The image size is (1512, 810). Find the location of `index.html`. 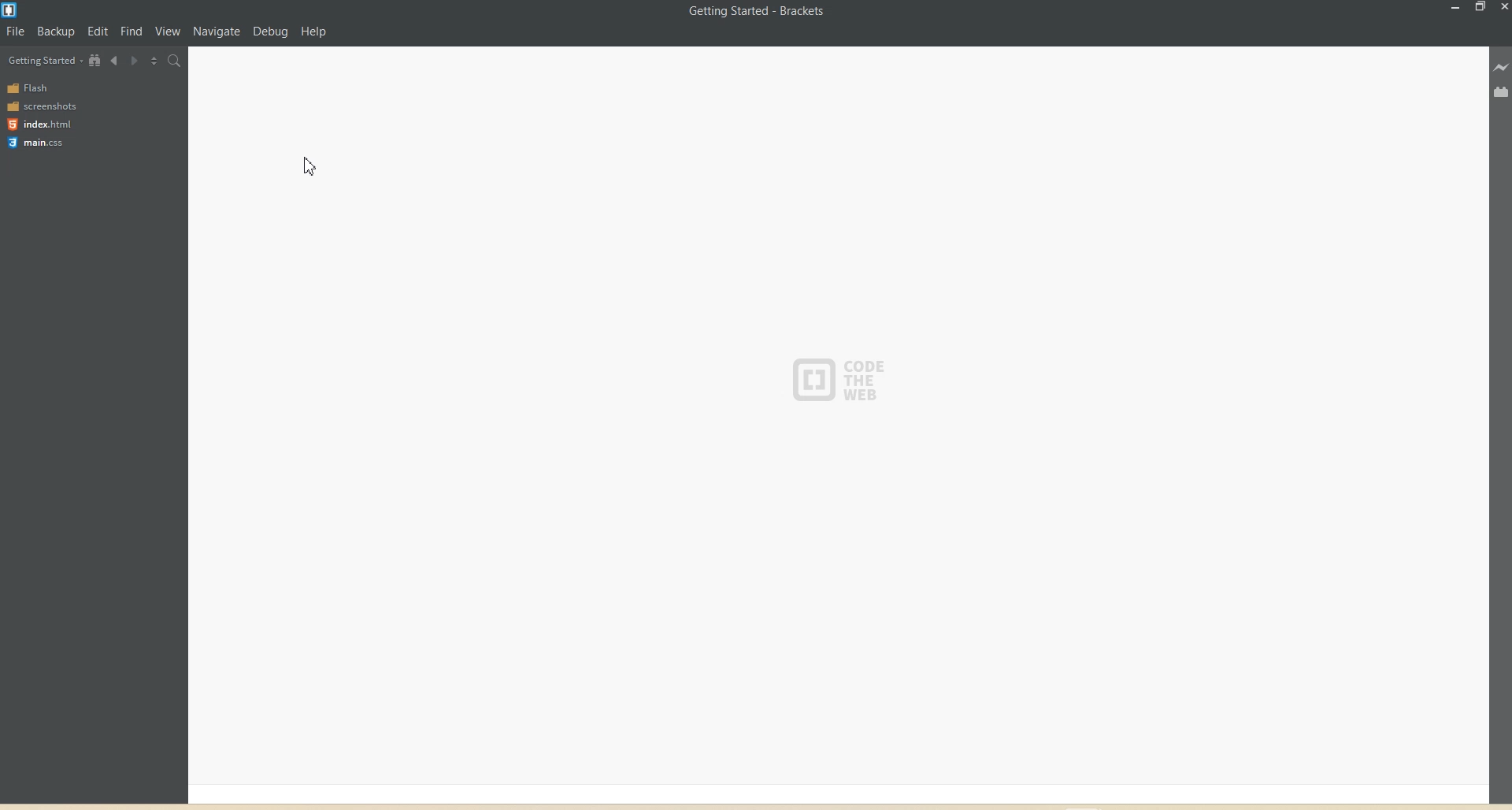

index.html is located at coordinates (39, 124).